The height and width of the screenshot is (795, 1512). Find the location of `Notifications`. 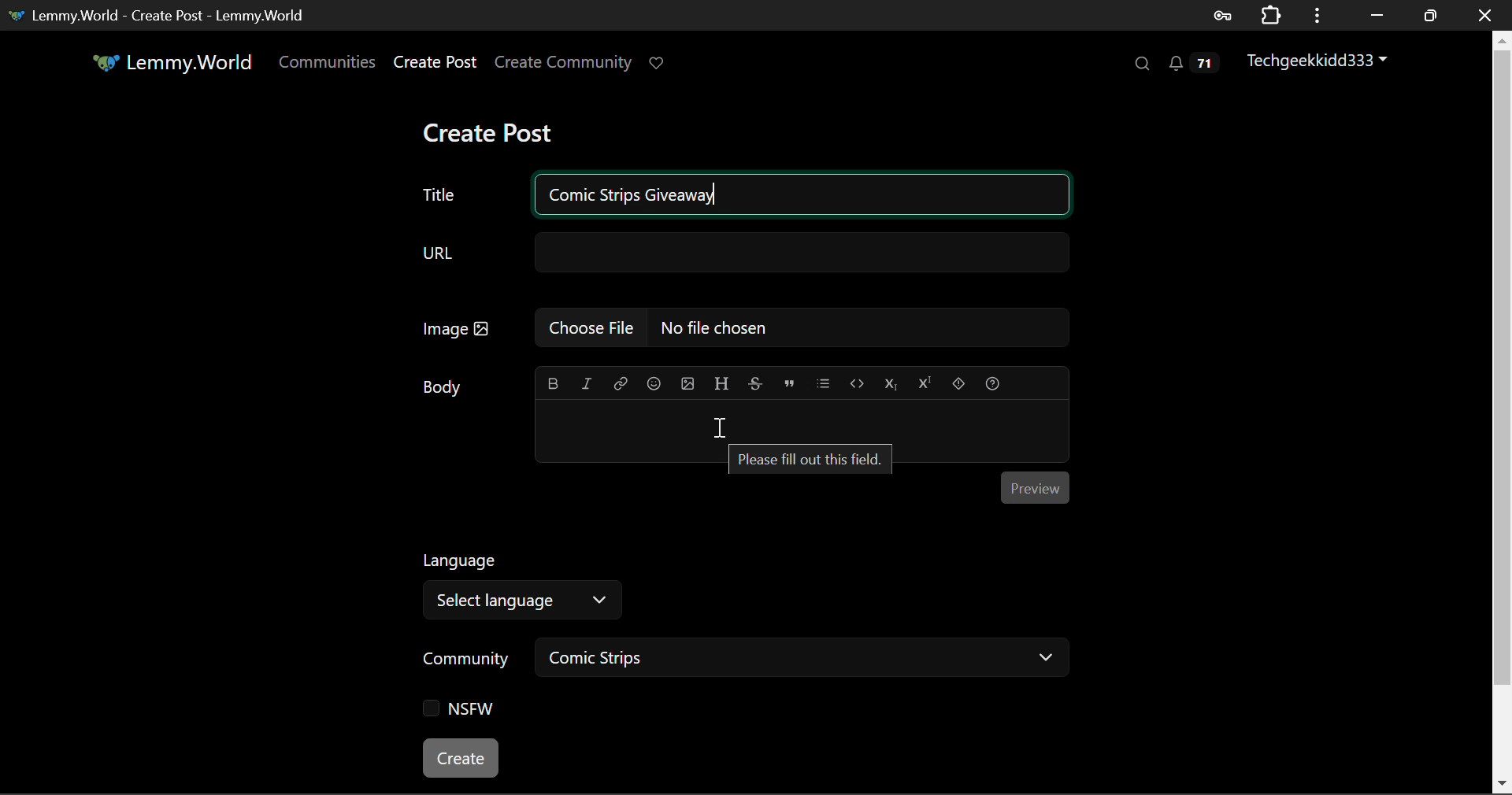

Notifications is located at coordinates (1190, 63).